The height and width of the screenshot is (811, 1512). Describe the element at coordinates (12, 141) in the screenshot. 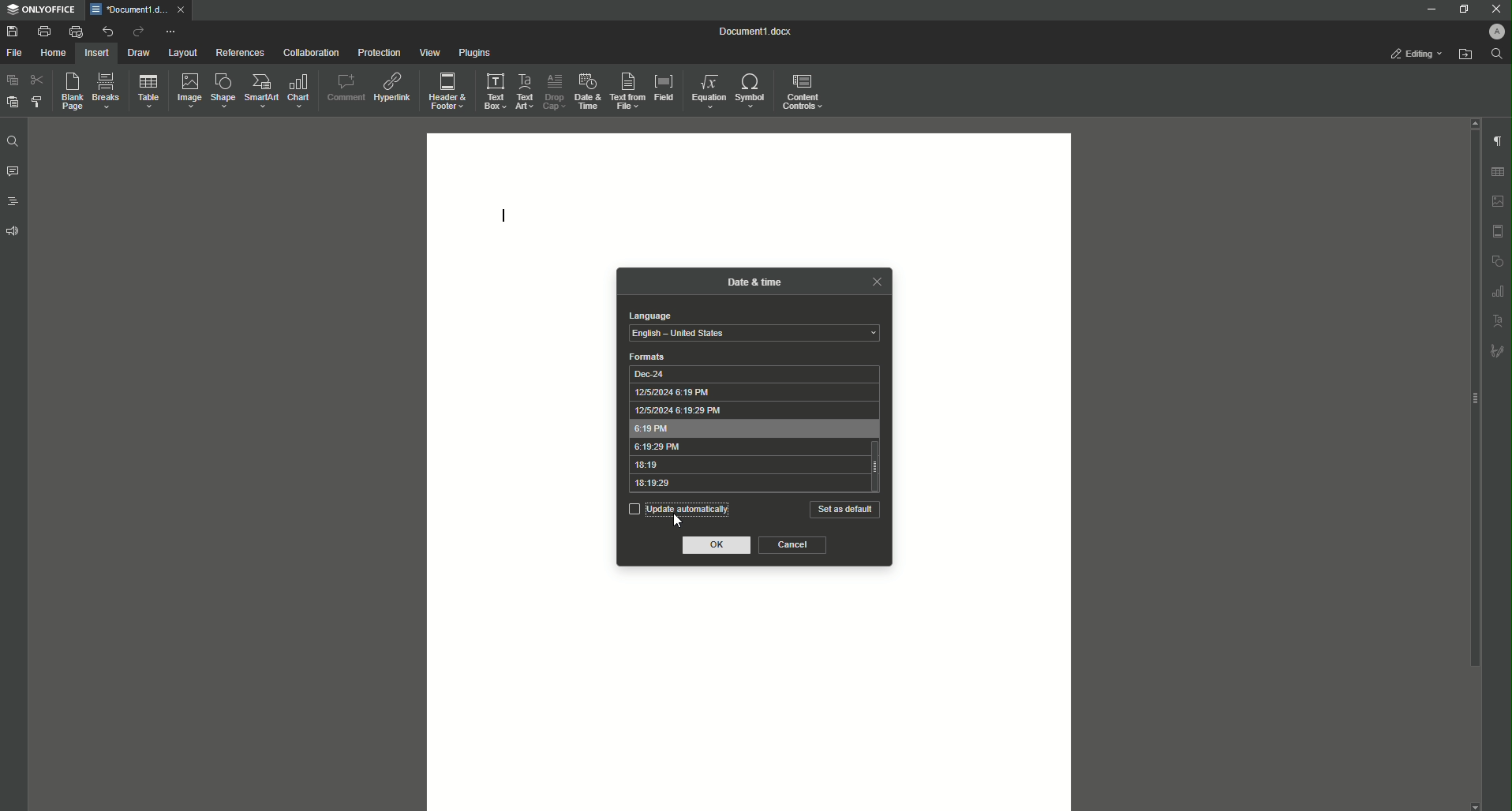

I see `Find` at that location.